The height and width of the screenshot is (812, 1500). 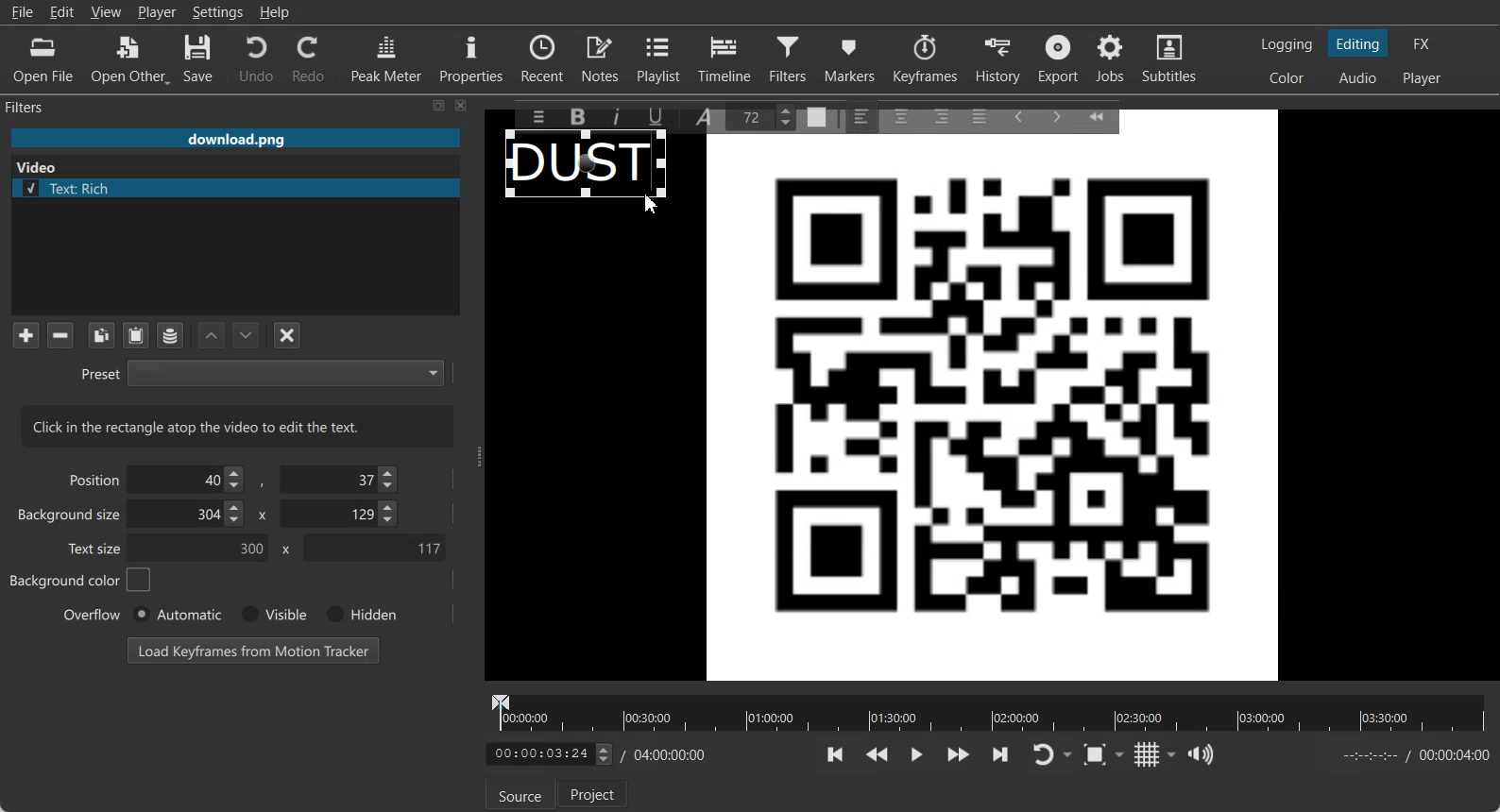 What do you see at coordinates (106, 11) in the screenshot?
I see `View` at bounding box center [106, 11].